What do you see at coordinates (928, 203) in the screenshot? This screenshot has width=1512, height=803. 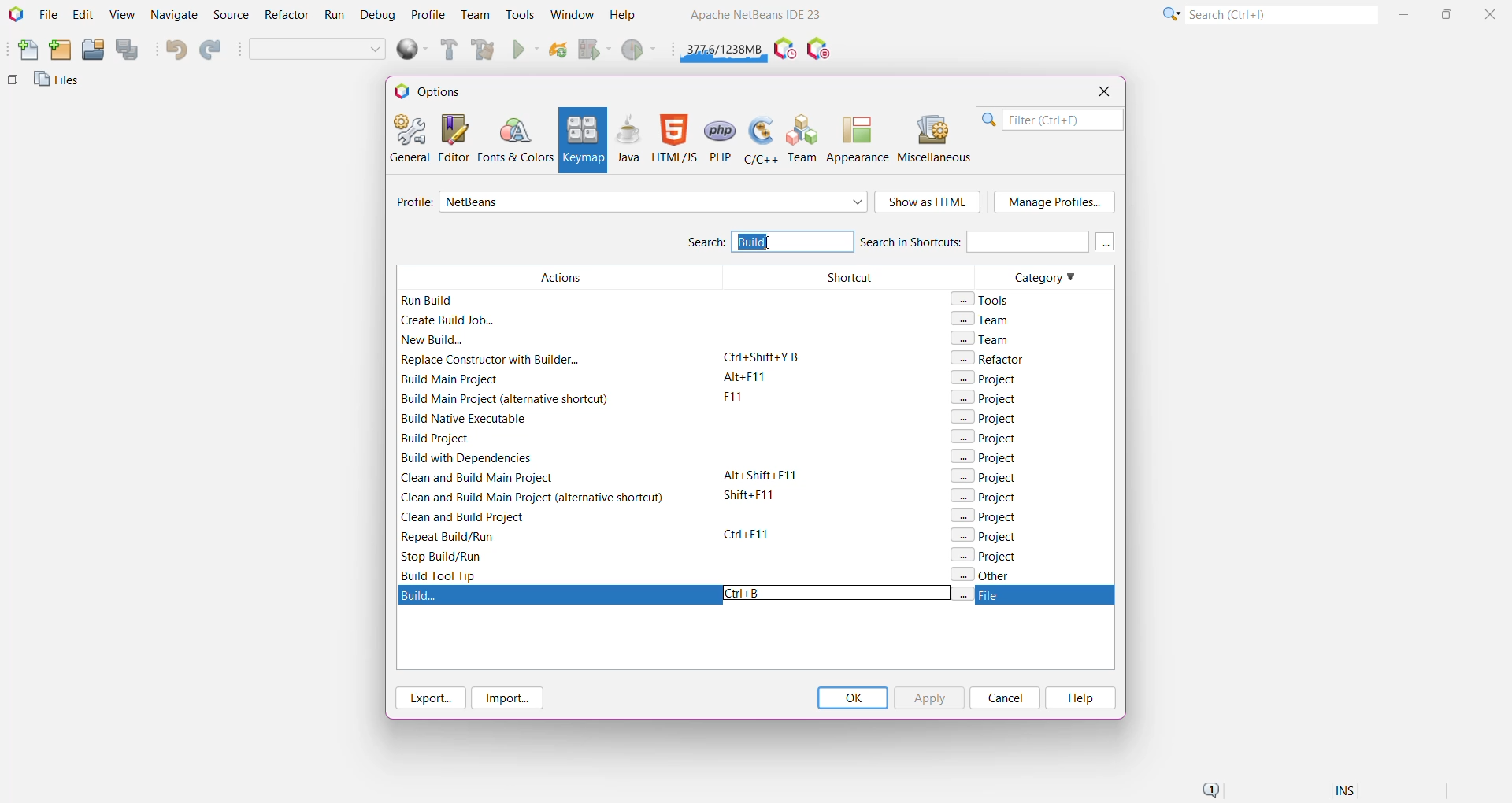 I see `Show as HTML` at bounding box center [928, 203].